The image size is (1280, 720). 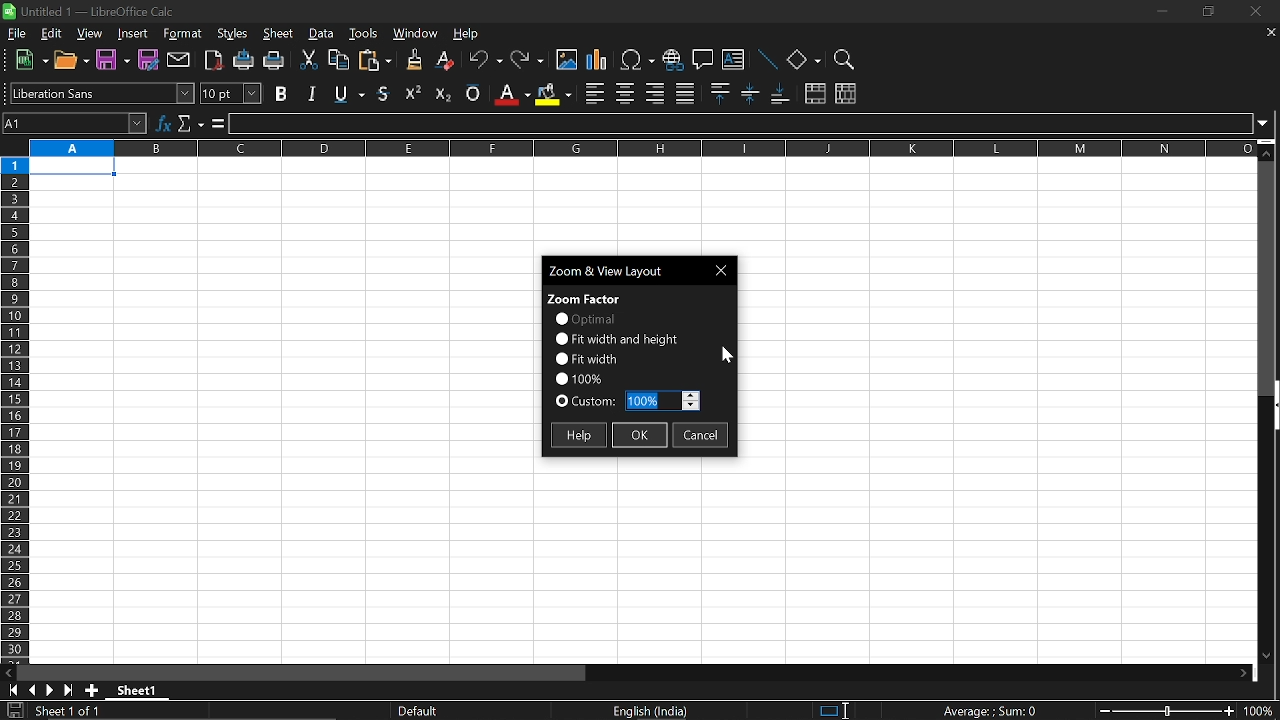 I want to click on close, so click(x=1252, y=13).